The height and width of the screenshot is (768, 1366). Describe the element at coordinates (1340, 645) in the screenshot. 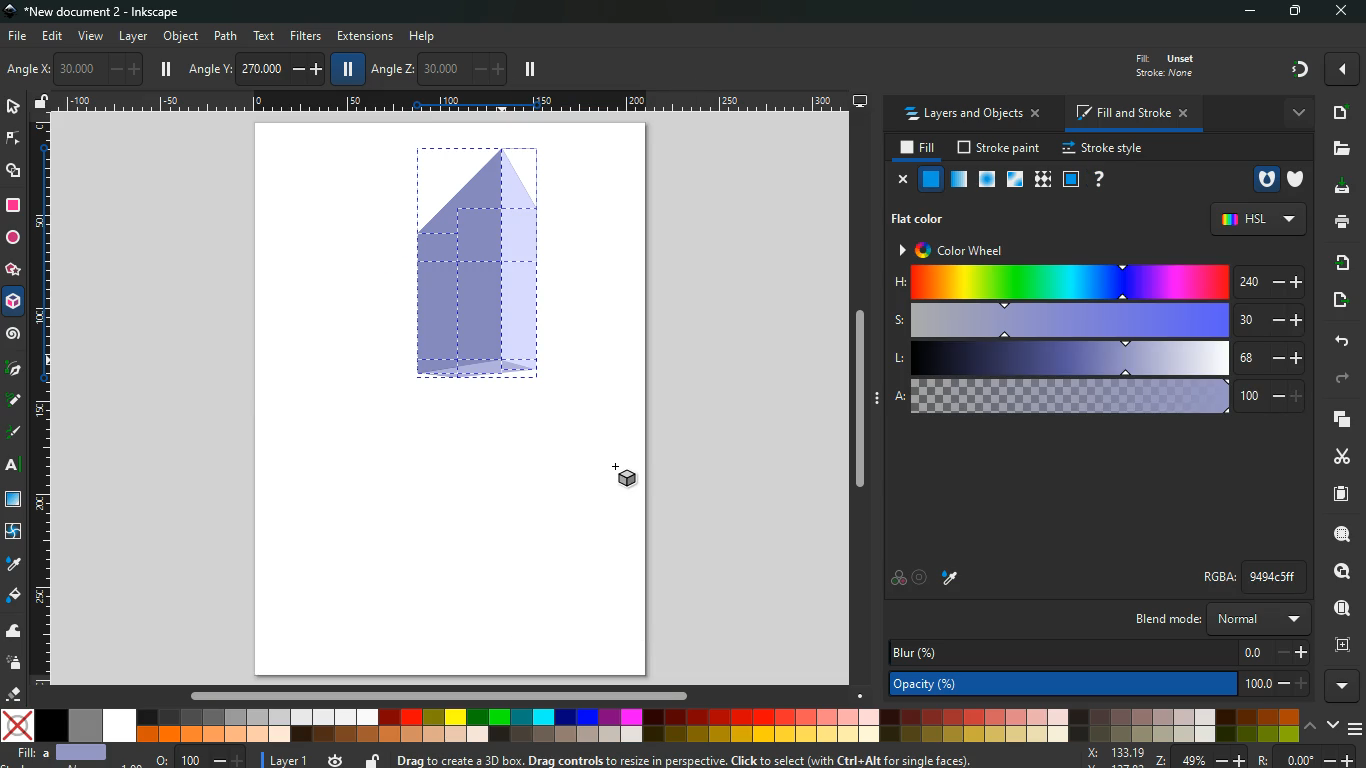

I see `frame` at that location.